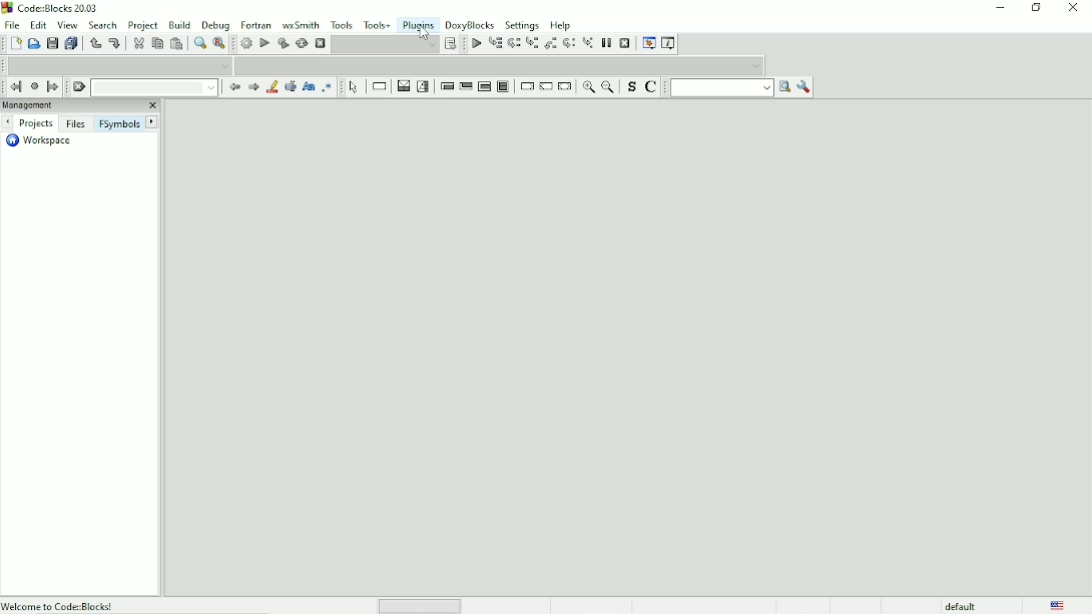 This screenshot has width=1092, height=614. Describe the element at coordinates (962, 605) in the screenshot. I see `default` at that location.